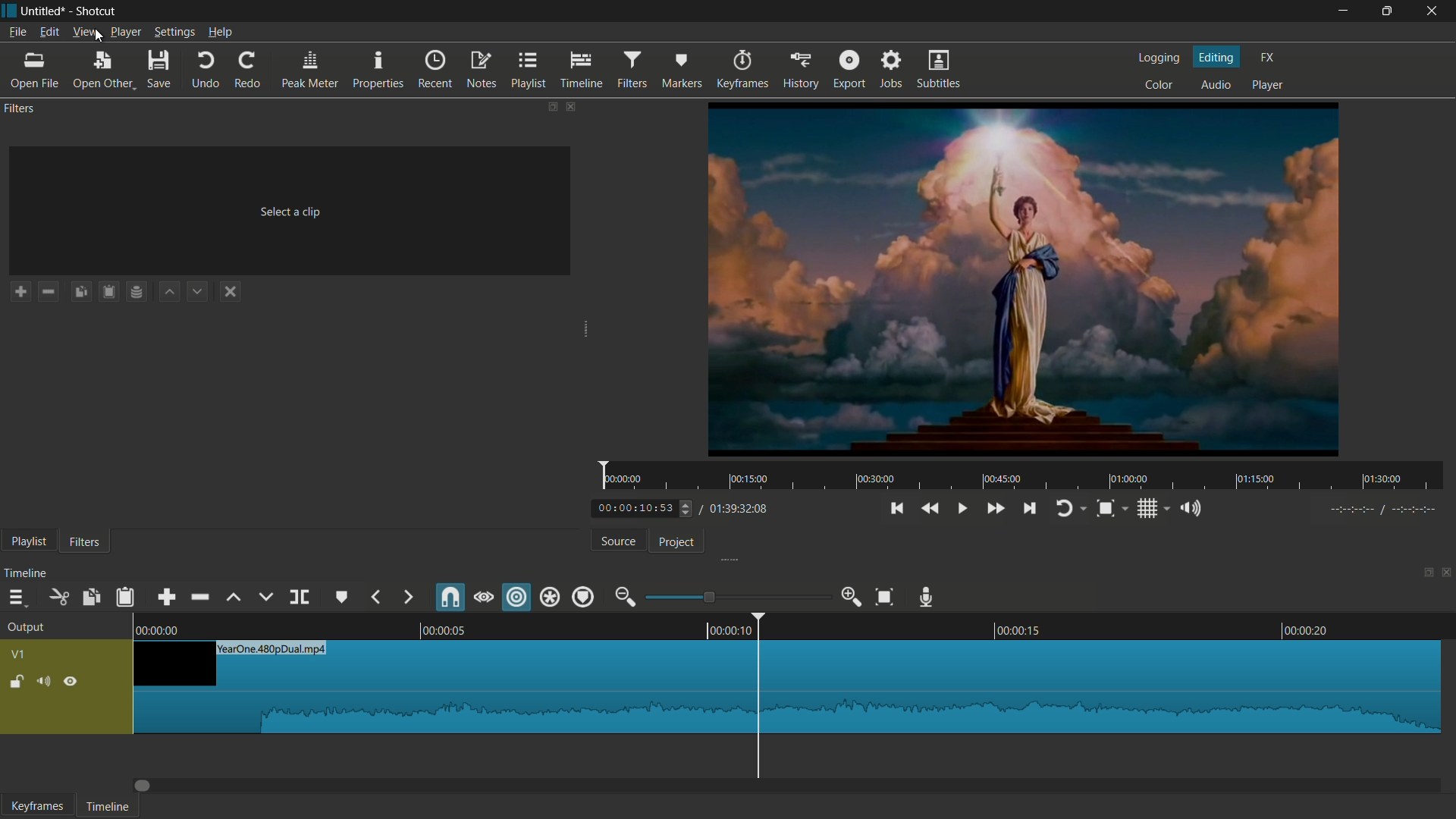 The height and width of the screenshot is (819, 1456). What do you see at coordinates (738, 510) in the screenshot?
I see `total time` at bounding box center [738, 510].